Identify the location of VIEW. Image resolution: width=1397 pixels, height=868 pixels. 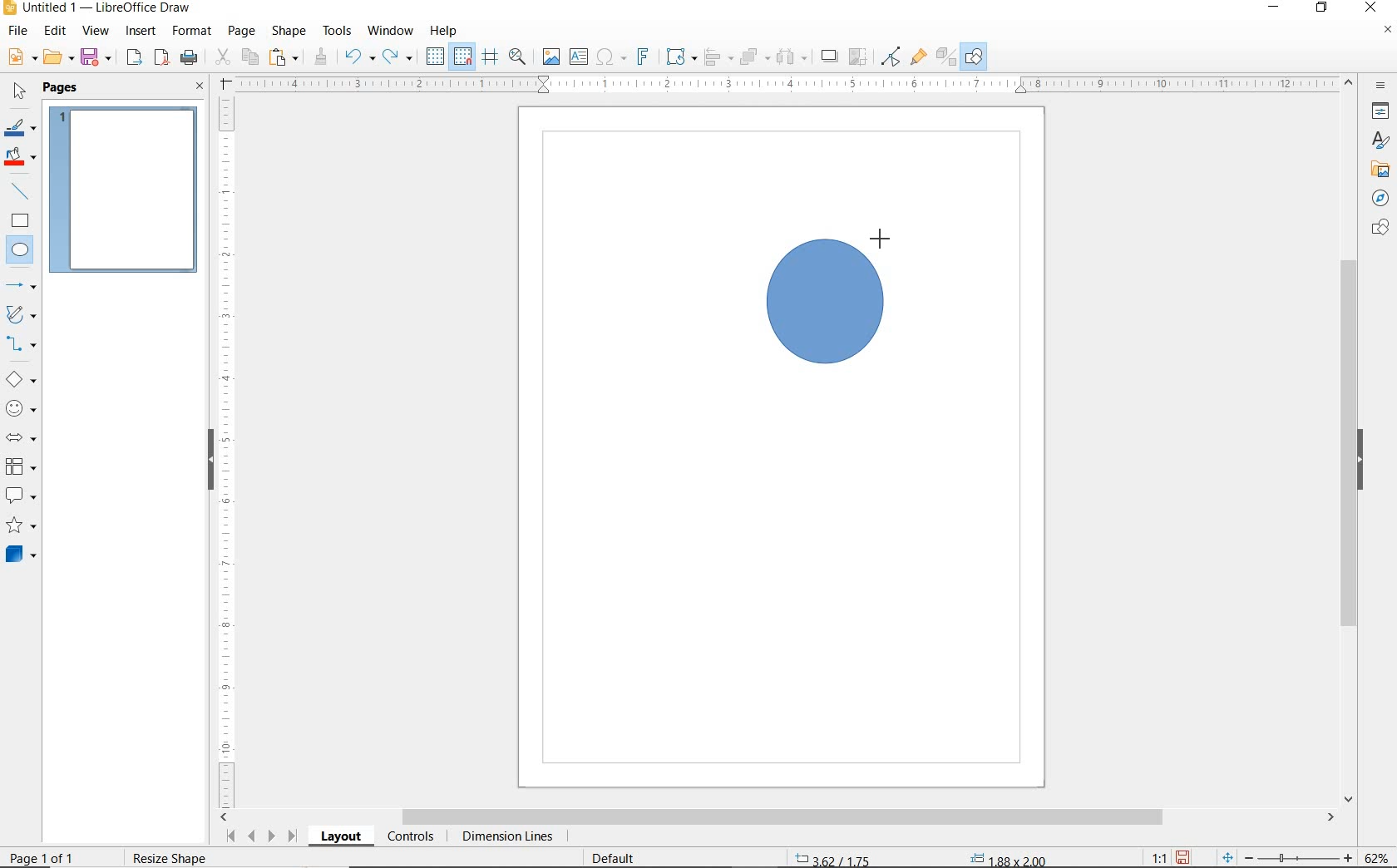
(96, 32).